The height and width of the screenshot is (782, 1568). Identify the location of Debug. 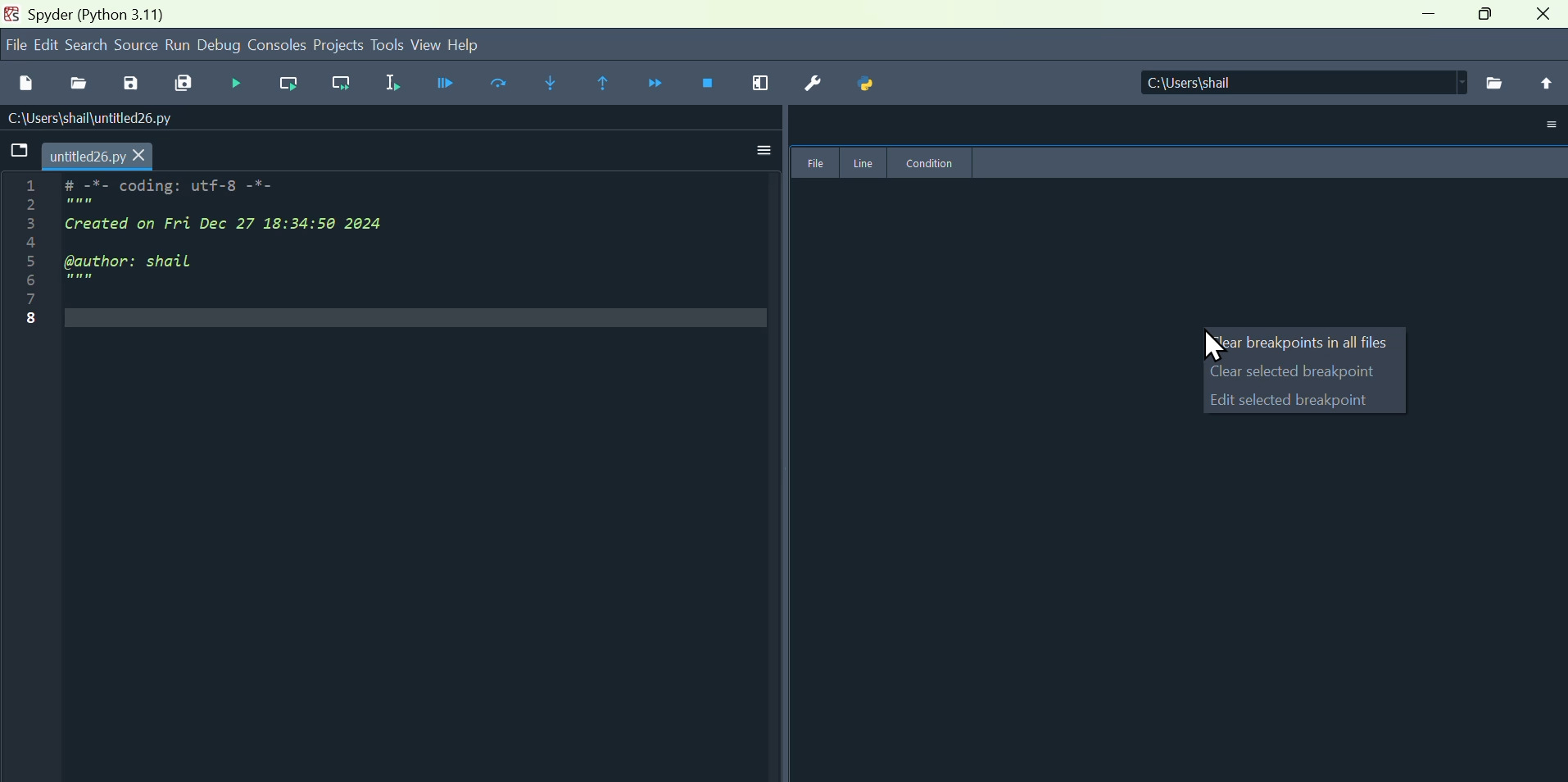
(222, 47).